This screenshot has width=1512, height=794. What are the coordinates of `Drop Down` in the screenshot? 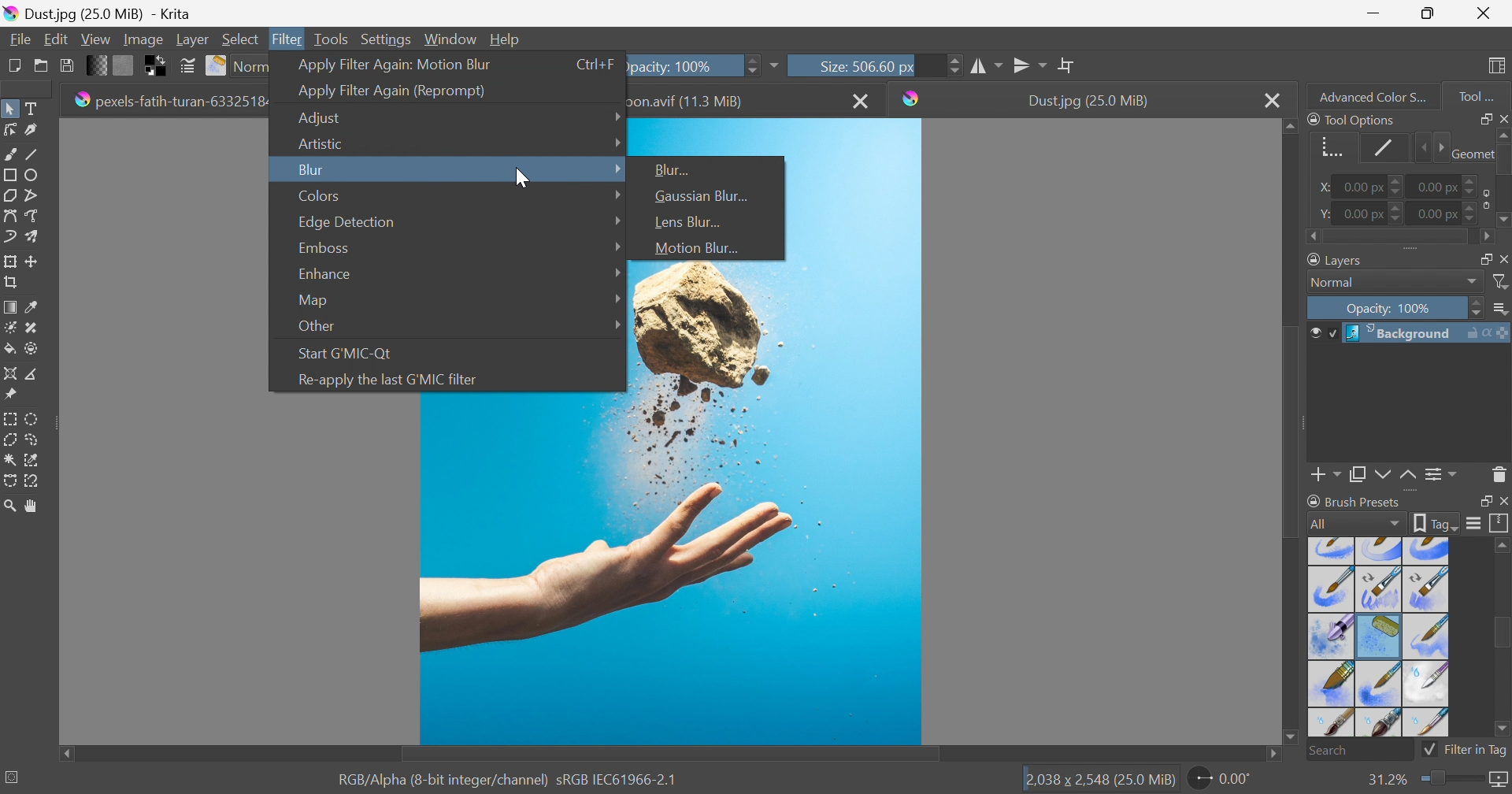 It's located at (618, 168).